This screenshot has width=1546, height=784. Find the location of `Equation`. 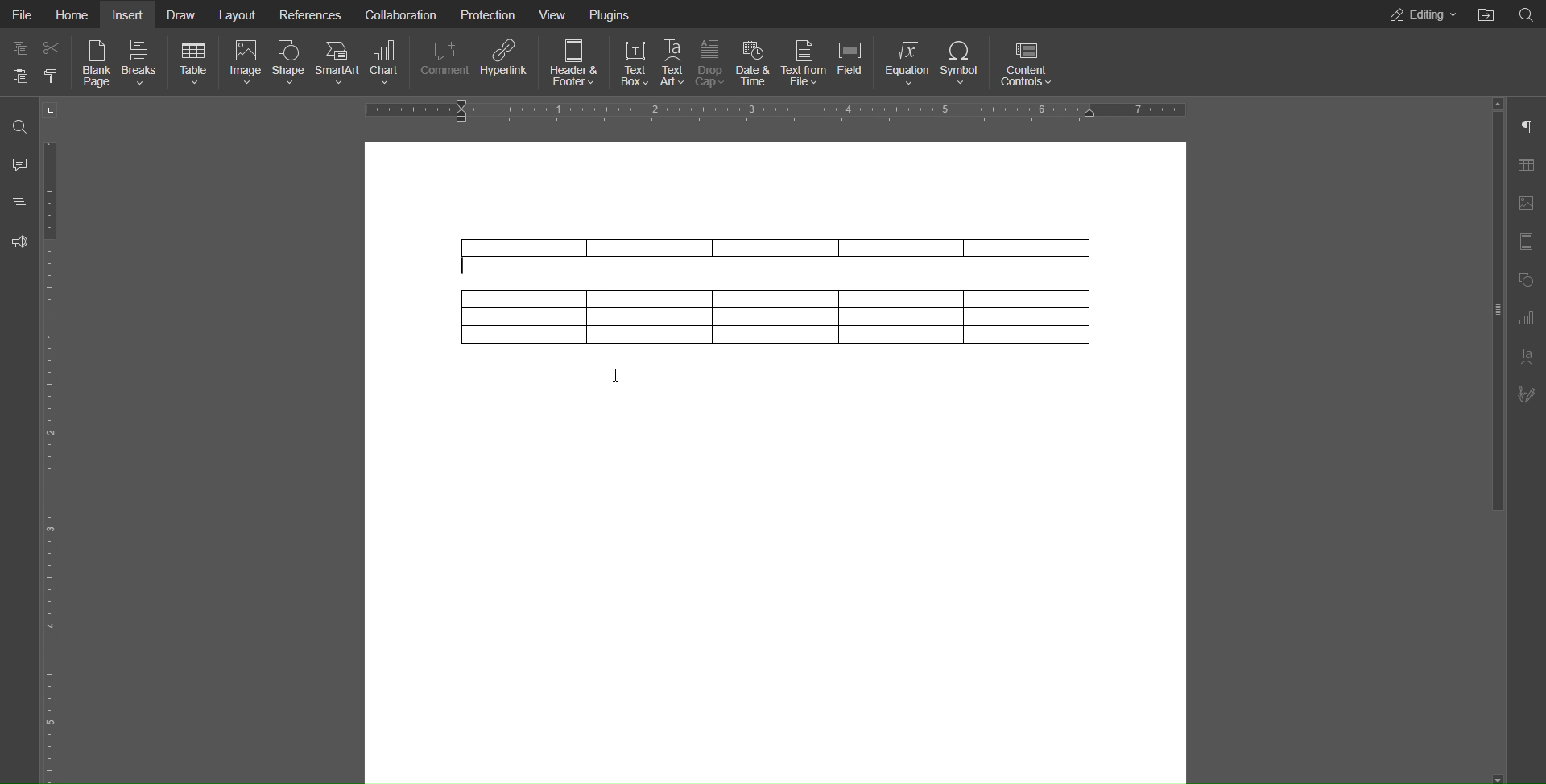

Equation is located at coordinates (912, 63).